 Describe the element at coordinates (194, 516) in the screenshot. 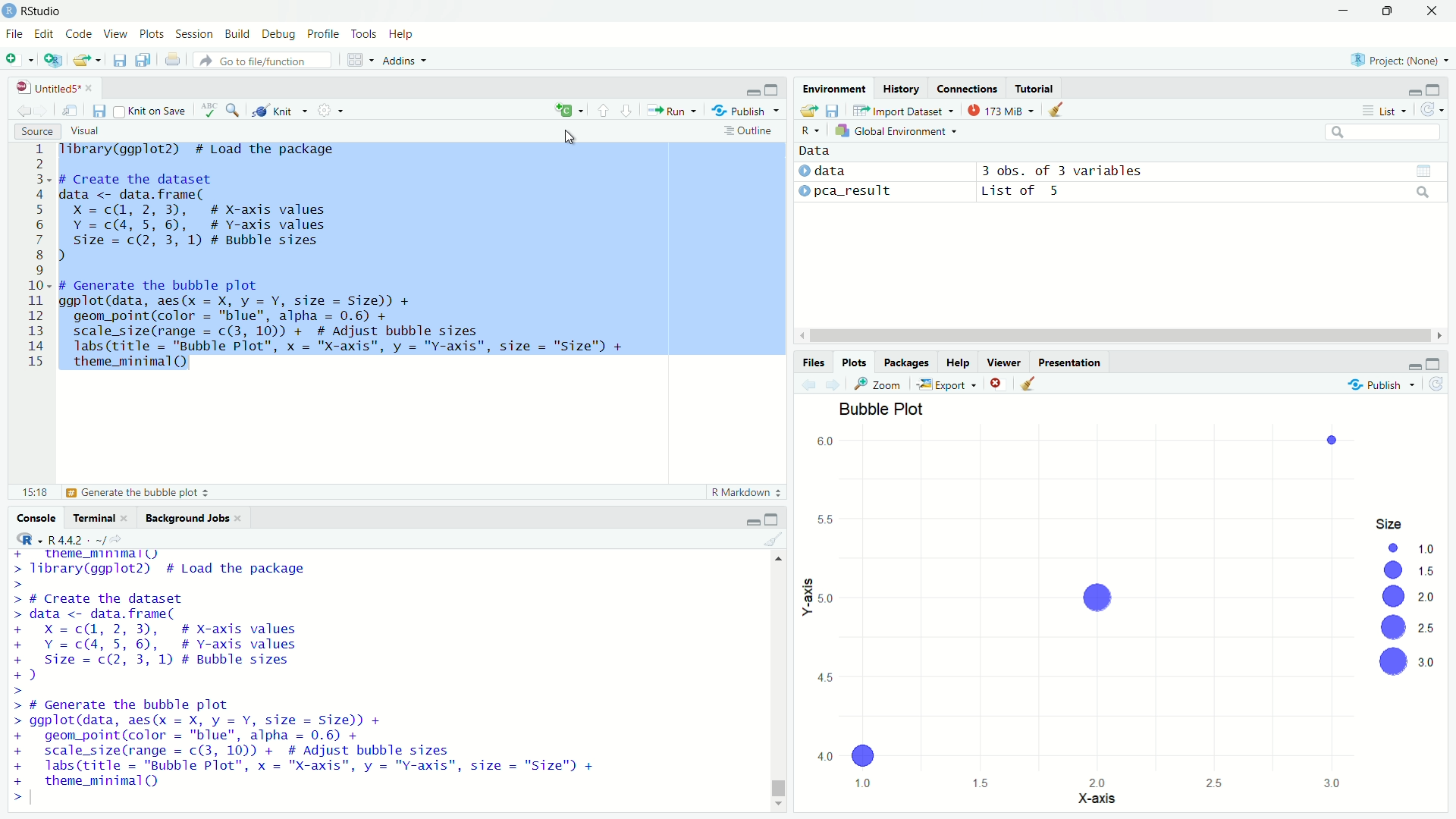

I see `background jobs` at that location.